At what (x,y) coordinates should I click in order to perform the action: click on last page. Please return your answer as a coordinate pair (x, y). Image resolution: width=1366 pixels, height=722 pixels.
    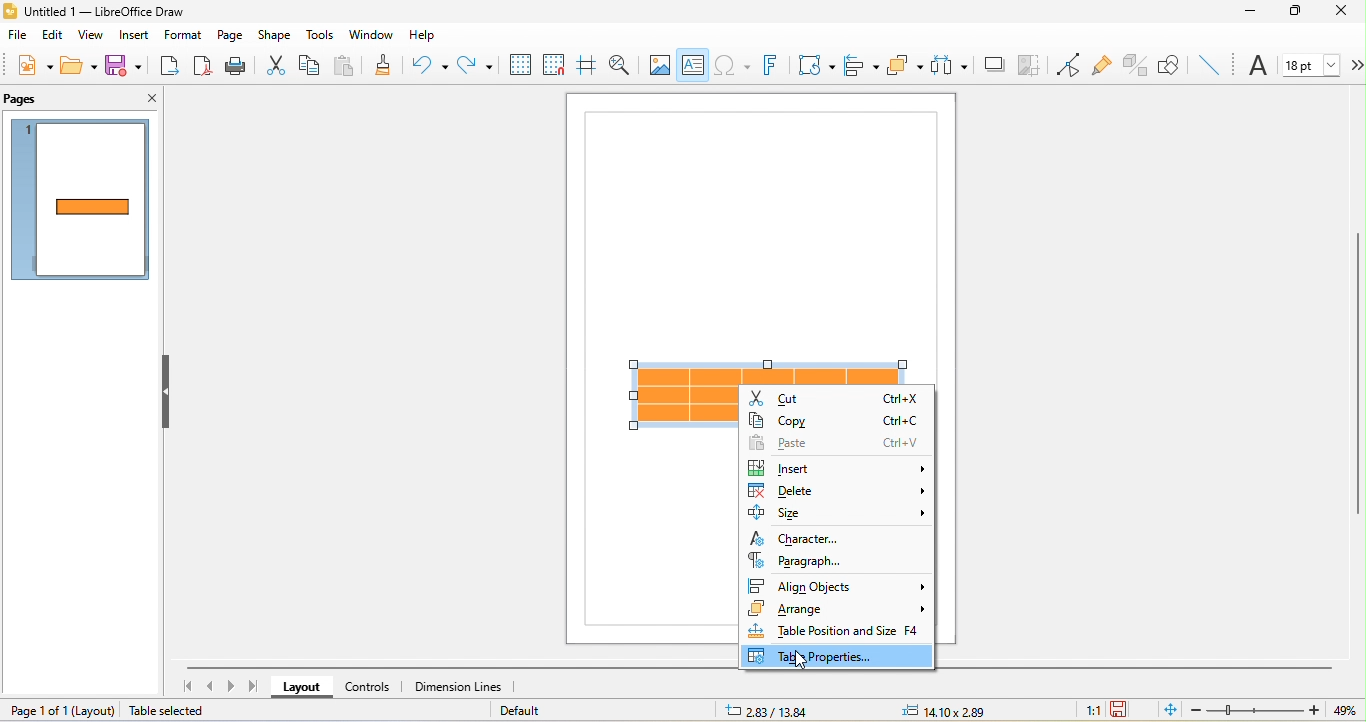
    Looking at the image, I should click on (258, 688).